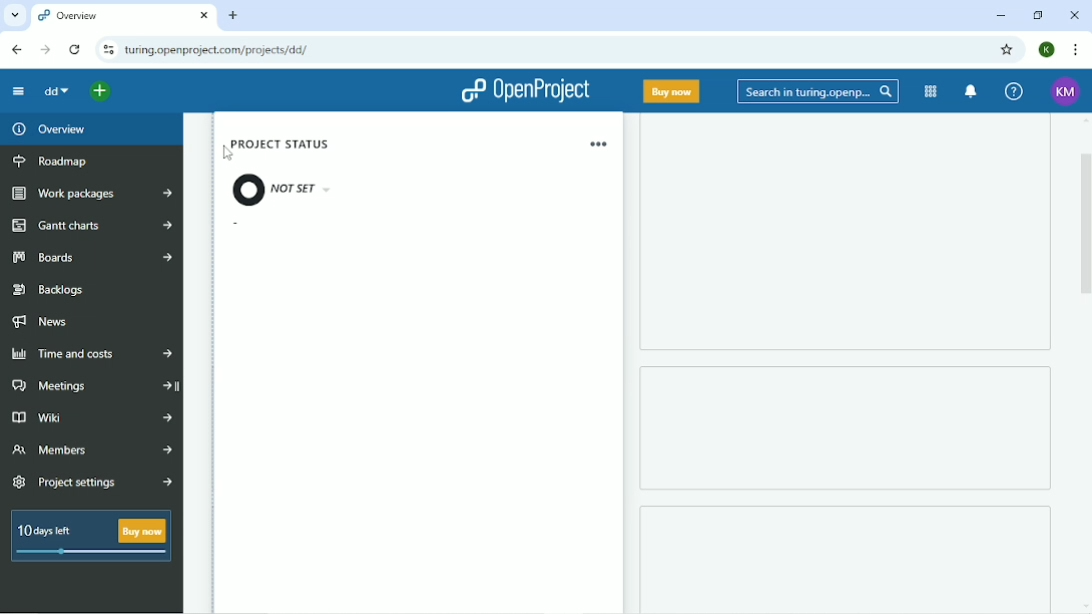 This screenshot has height=614, width=1092. Describe the element at coordinates (1008, 50) in the screenshot. I see `Bookmark this tab` at that location.